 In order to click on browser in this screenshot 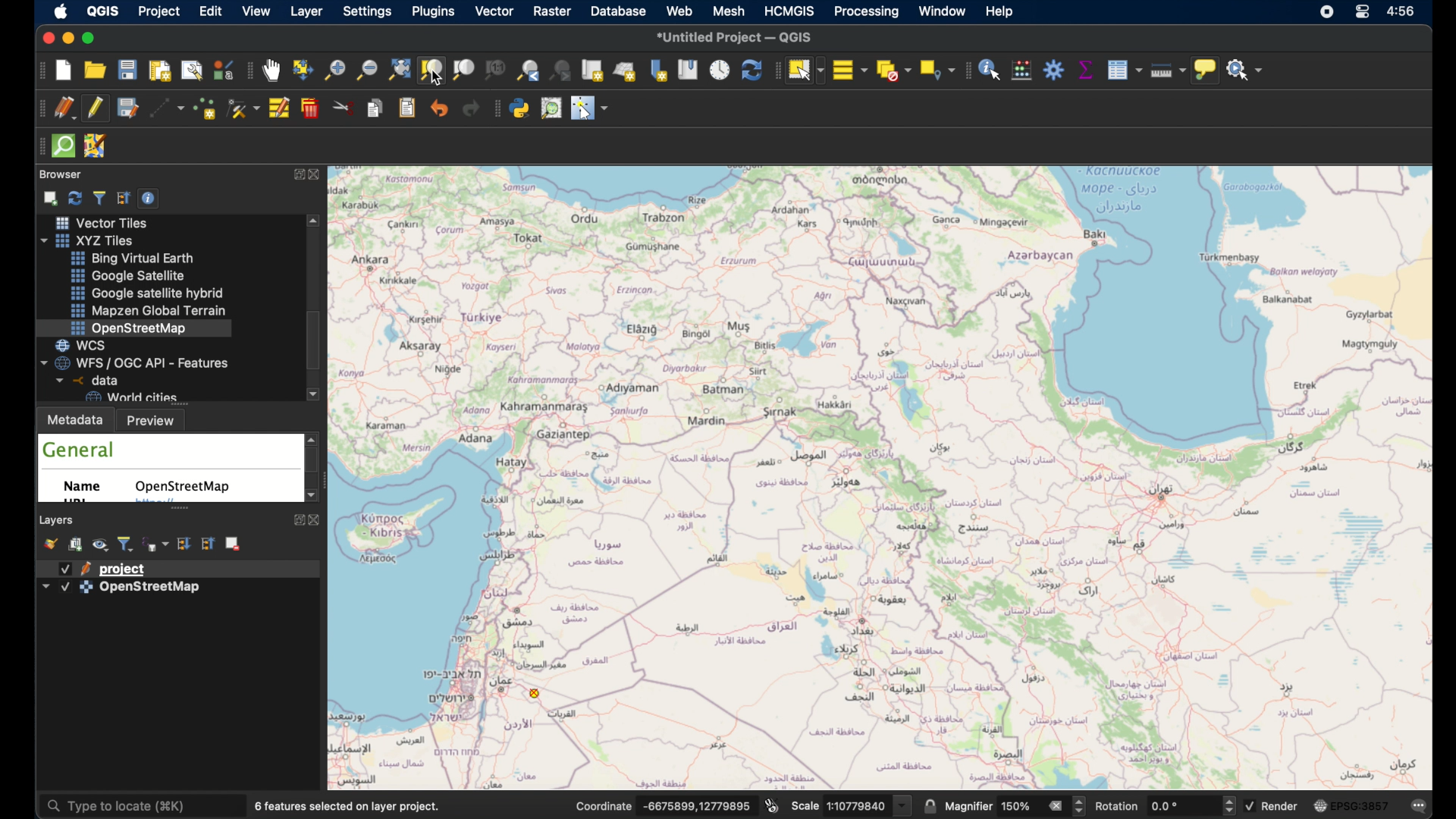, I will do `click(61, 174)`.